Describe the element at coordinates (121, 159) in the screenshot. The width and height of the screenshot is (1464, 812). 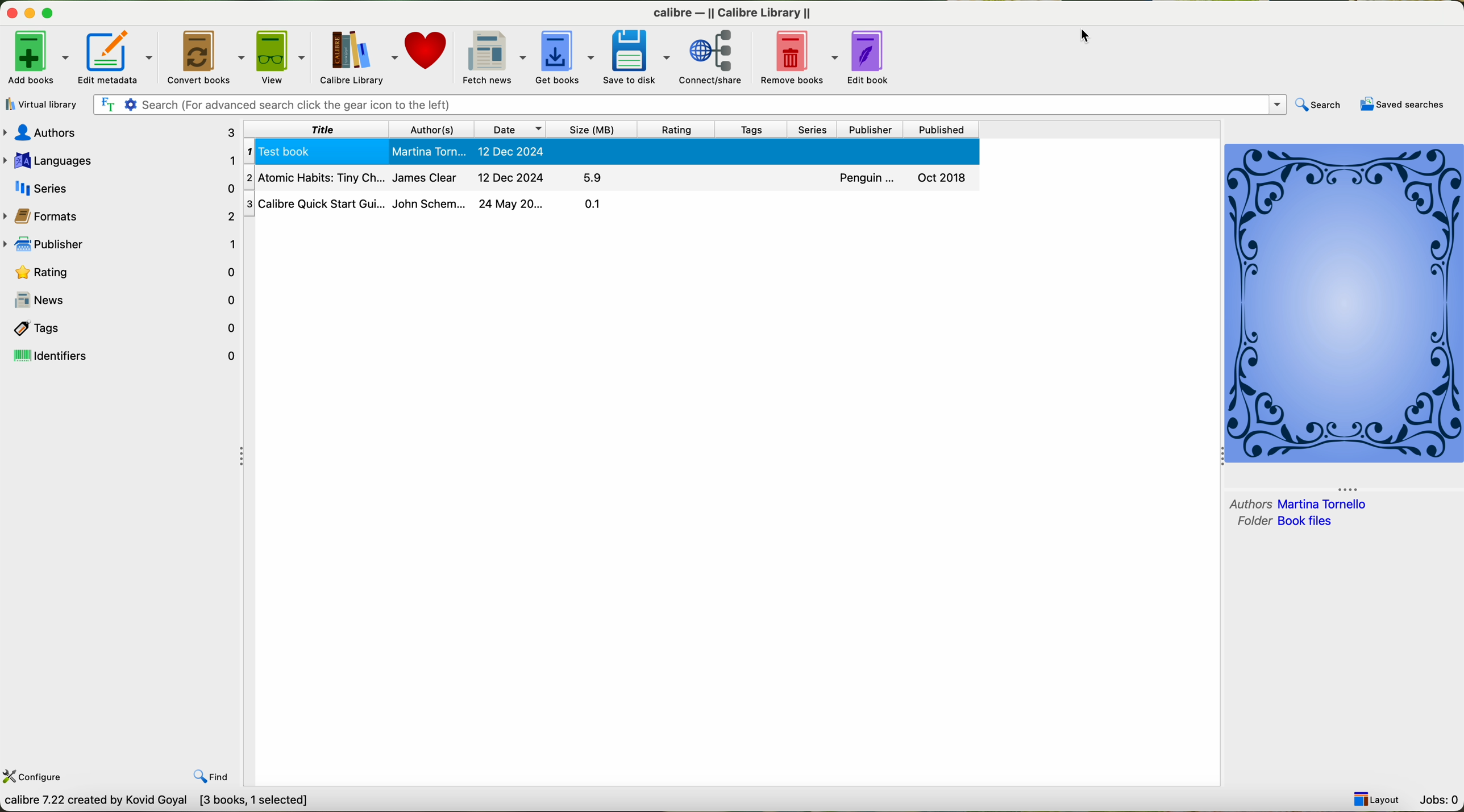
I see `languages` at that location.